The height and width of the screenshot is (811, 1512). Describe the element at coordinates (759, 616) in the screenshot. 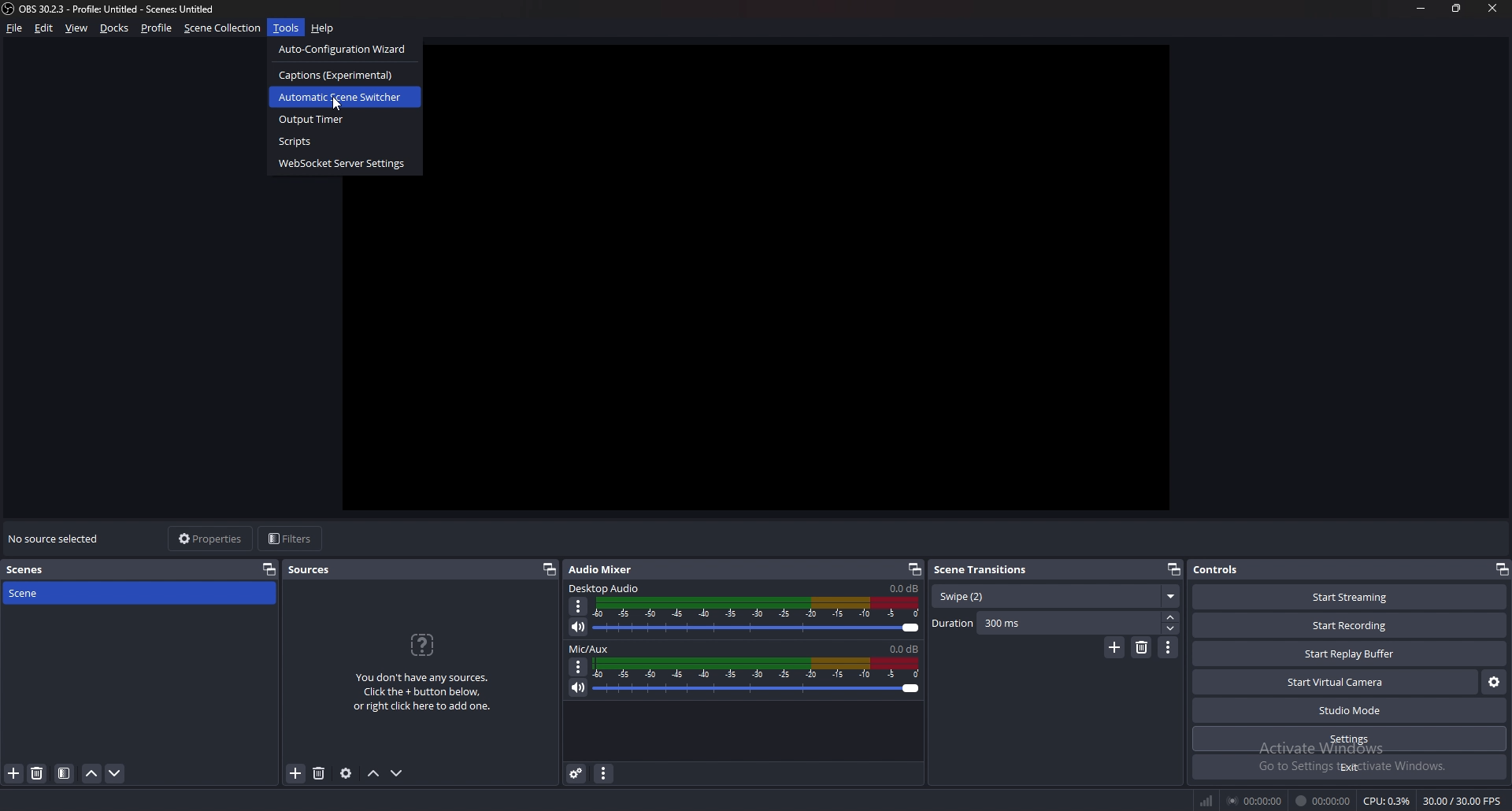

I see `volume adjust` at that location.